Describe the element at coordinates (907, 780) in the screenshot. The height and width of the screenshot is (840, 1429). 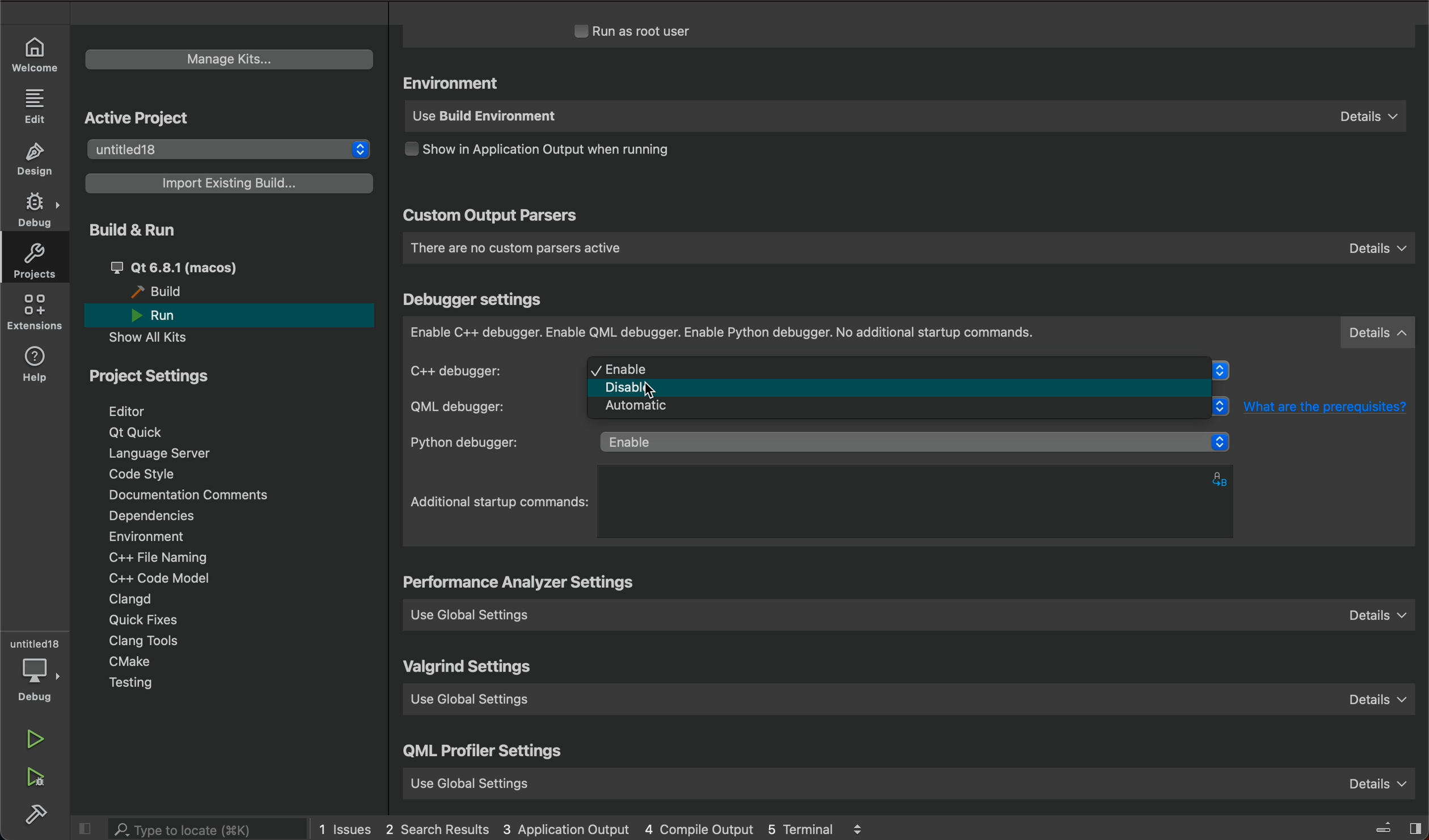
I see `use global ` at that location.